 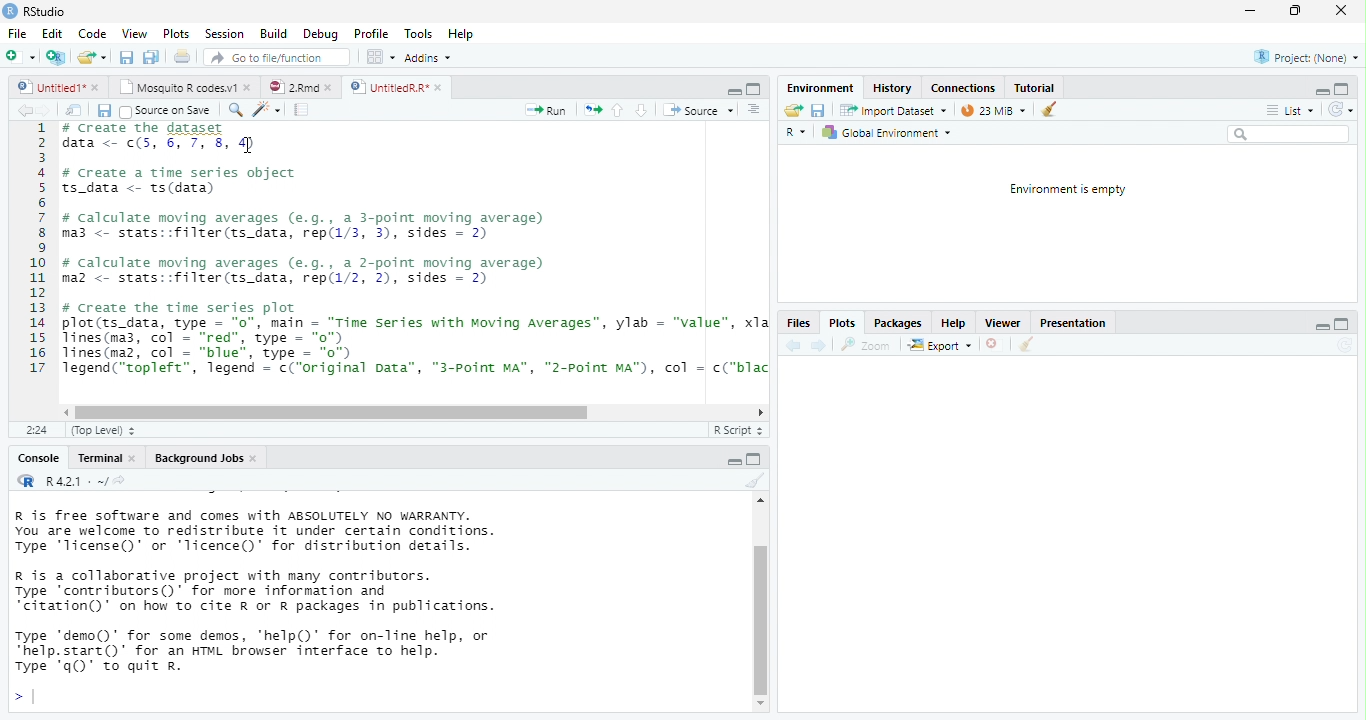 What do you see at coordinates (1319, 93) in the screenshot?
I see `minimize` at bounding box center [1319, 93].